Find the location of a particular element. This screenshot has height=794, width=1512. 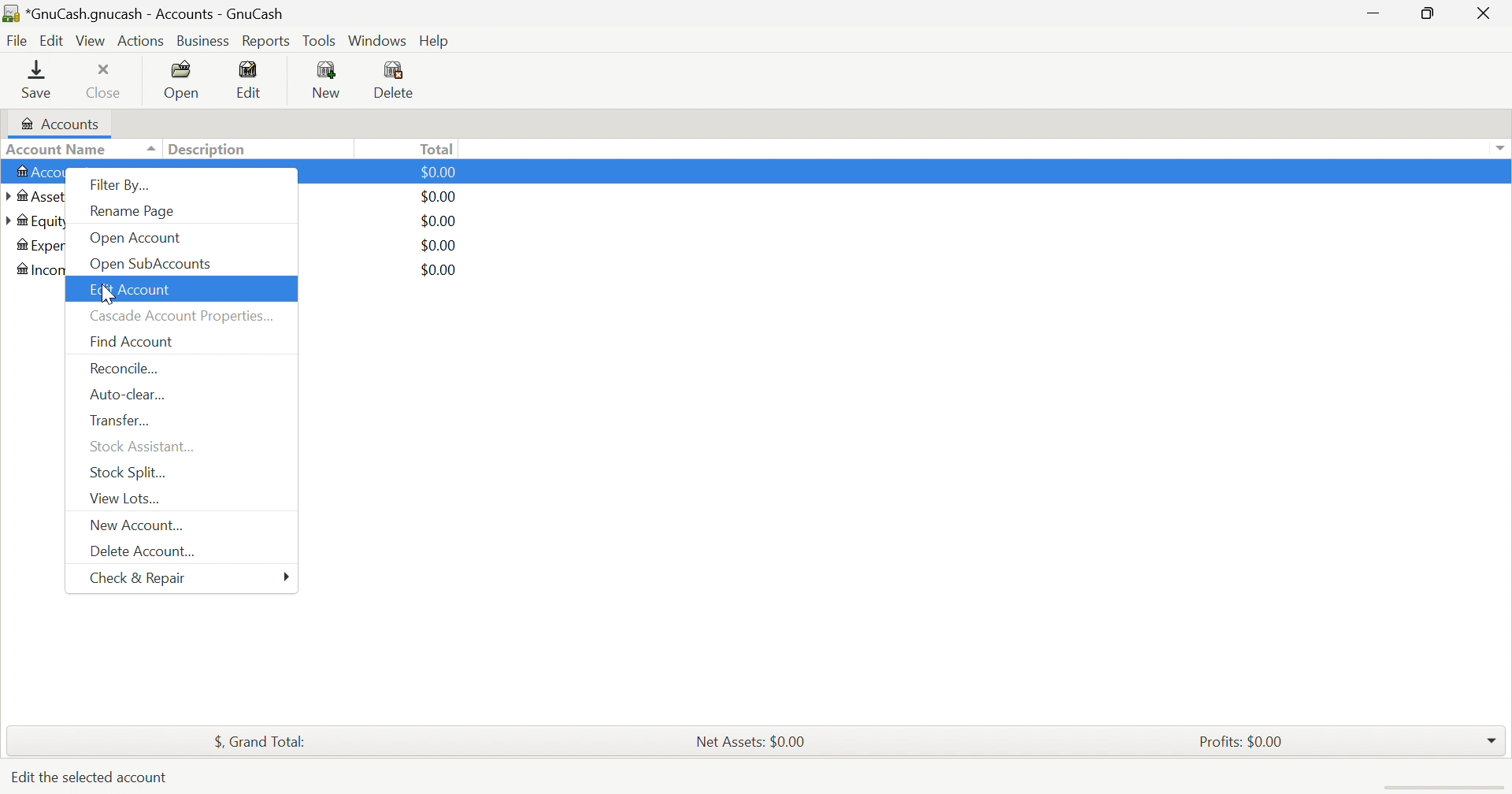

Edit the selected account is located at coordinates (91, 776).